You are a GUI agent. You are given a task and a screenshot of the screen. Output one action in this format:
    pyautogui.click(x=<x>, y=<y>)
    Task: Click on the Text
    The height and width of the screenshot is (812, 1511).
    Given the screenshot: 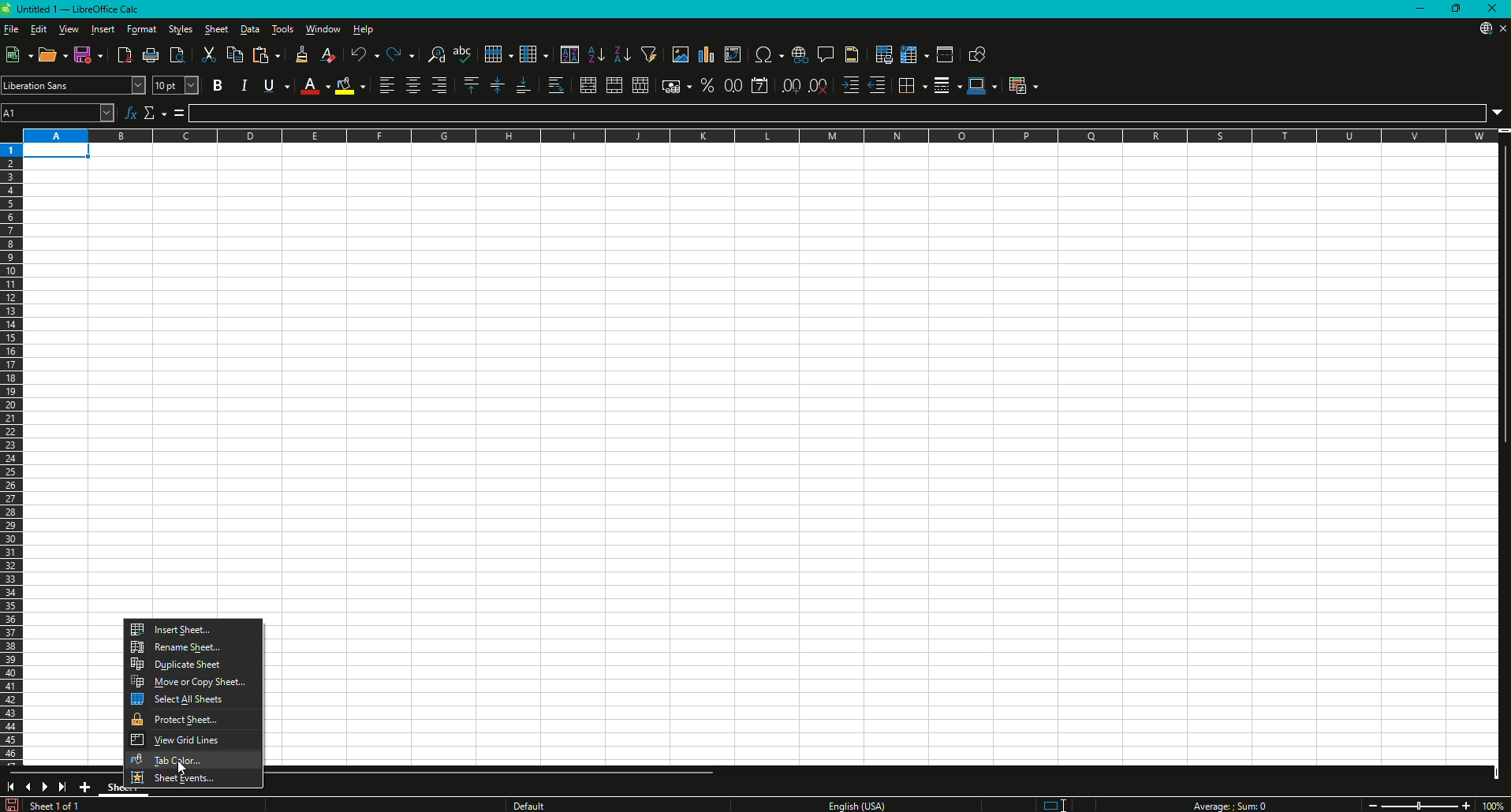 What is the action you would take?
    pyautogui.click(x=58, y=805)
    